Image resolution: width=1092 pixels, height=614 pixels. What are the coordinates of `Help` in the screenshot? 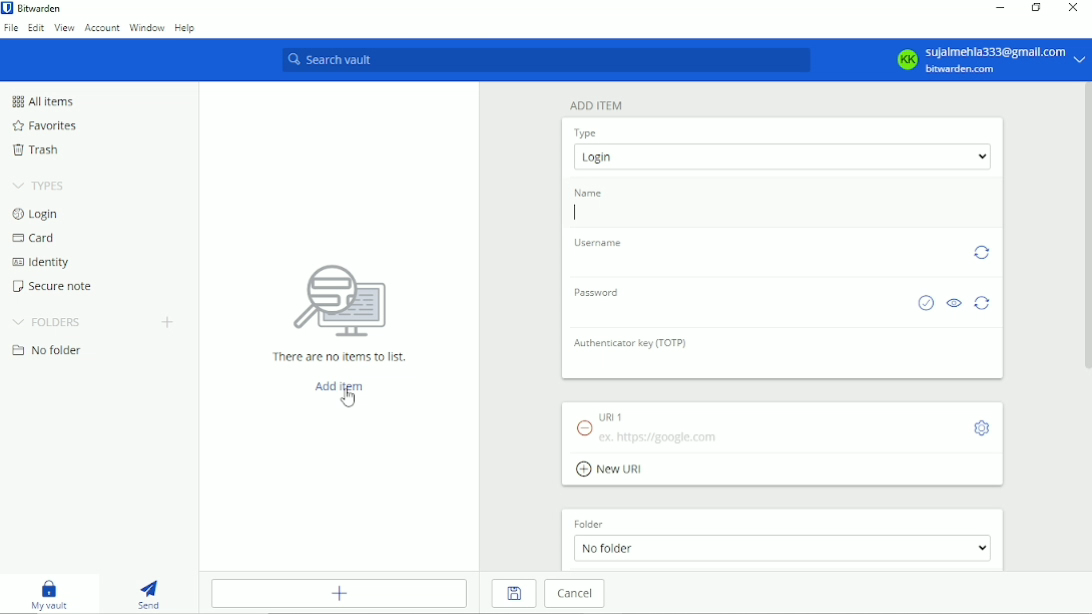 It's located at (184, 27).